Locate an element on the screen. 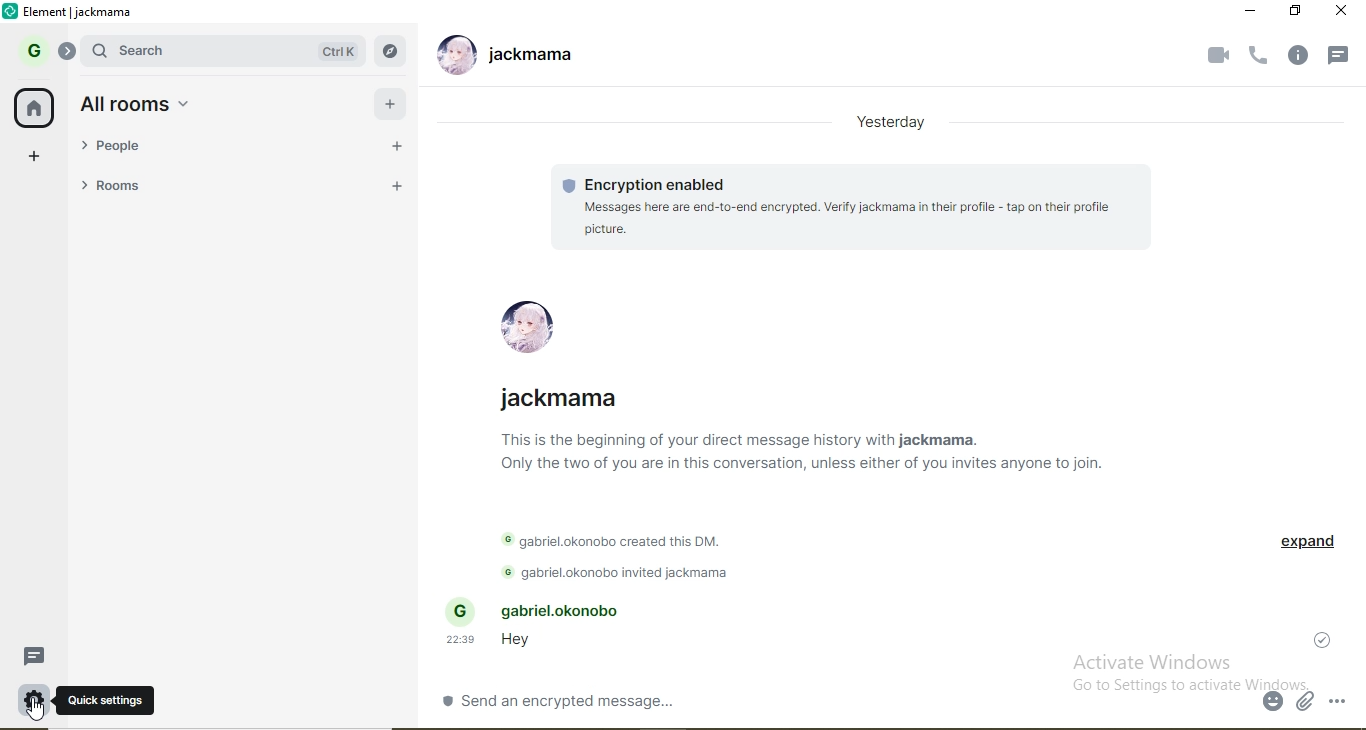  navigate is located at coordinates (391, 50).